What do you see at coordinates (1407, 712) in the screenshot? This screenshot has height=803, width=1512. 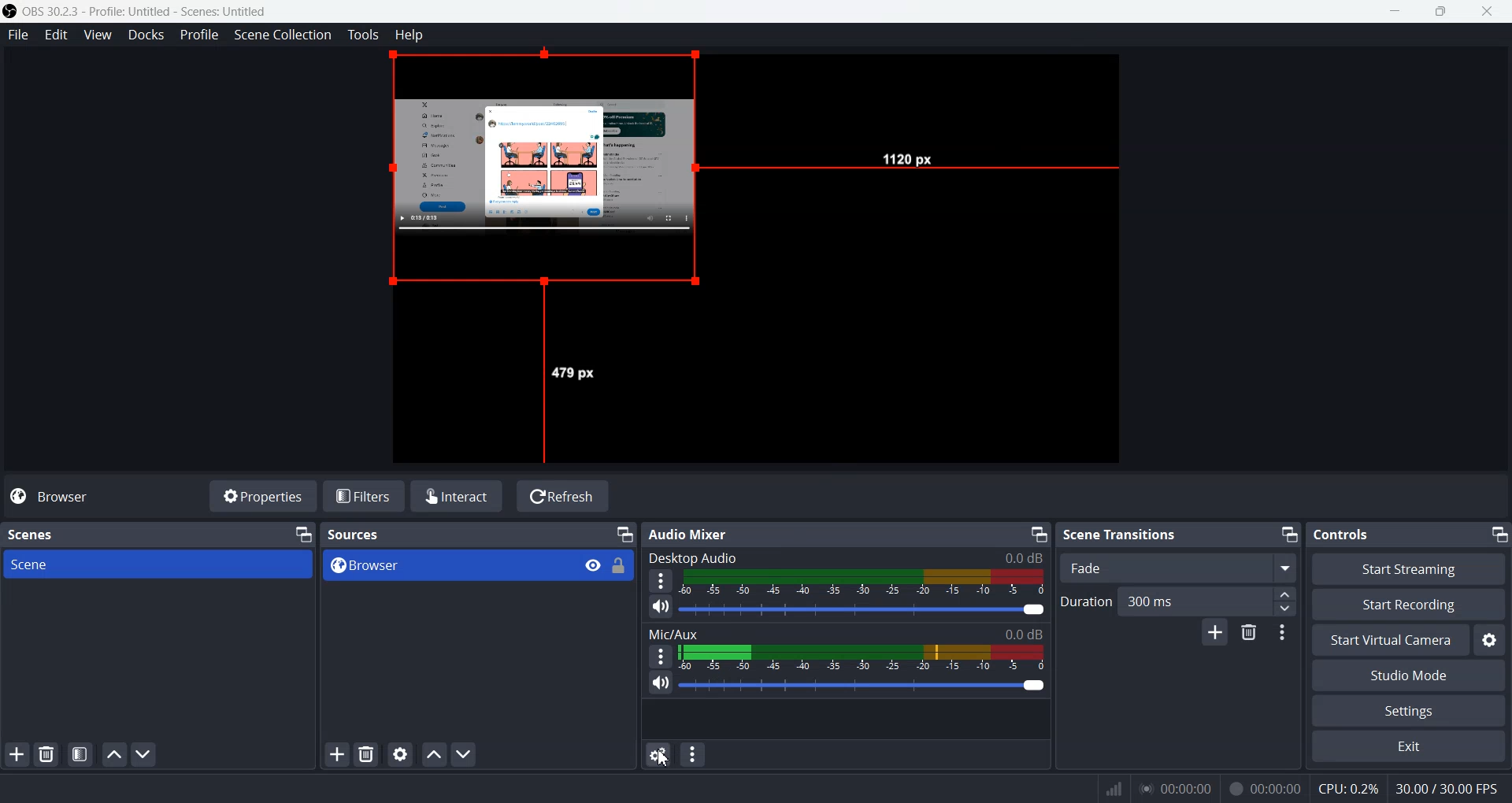 I see `Settings` at bounding box center [1407, 712].